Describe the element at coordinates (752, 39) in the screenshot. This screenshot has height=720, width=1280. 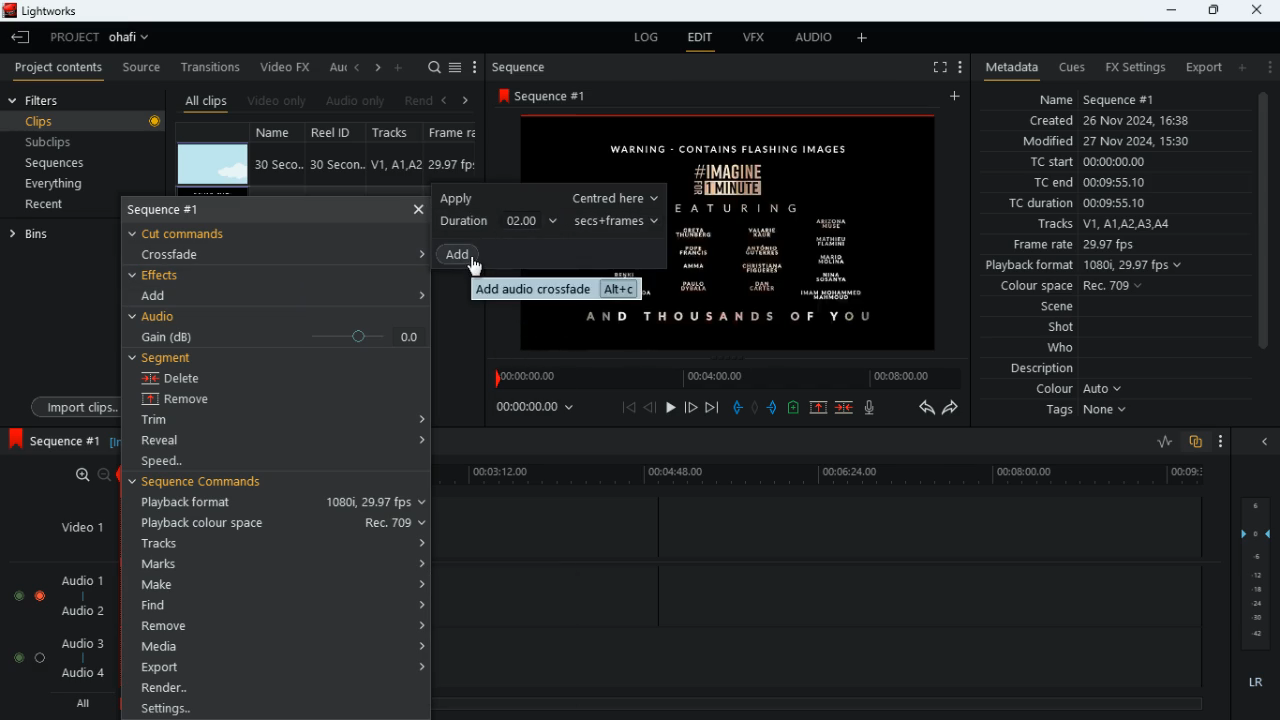
I see `vfx` at that location.